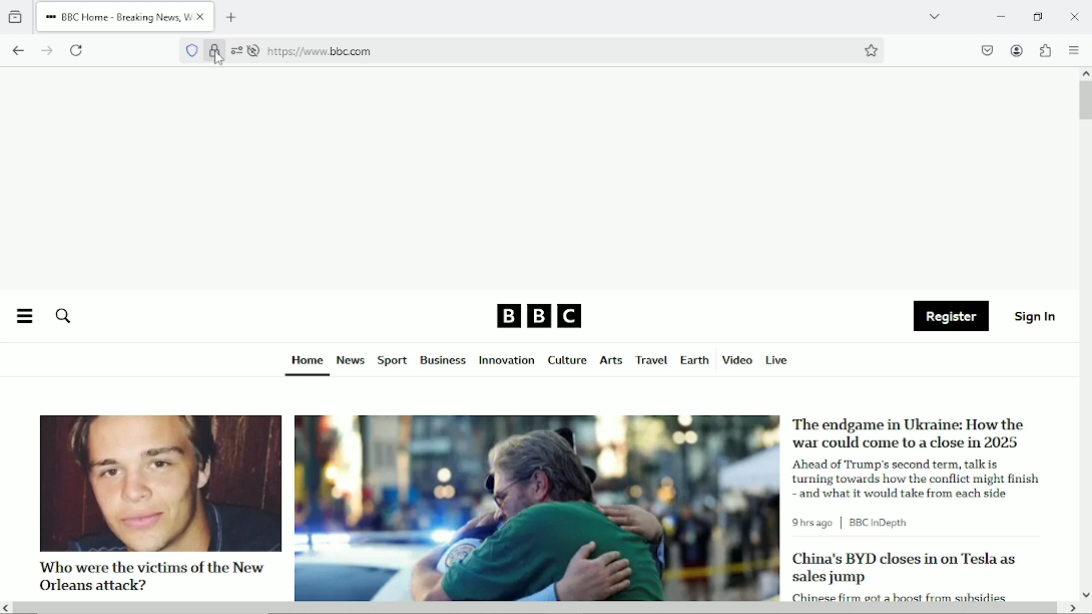  I want to click on China's BYD closes in on Tesla as sales jump, so click(904, 568).